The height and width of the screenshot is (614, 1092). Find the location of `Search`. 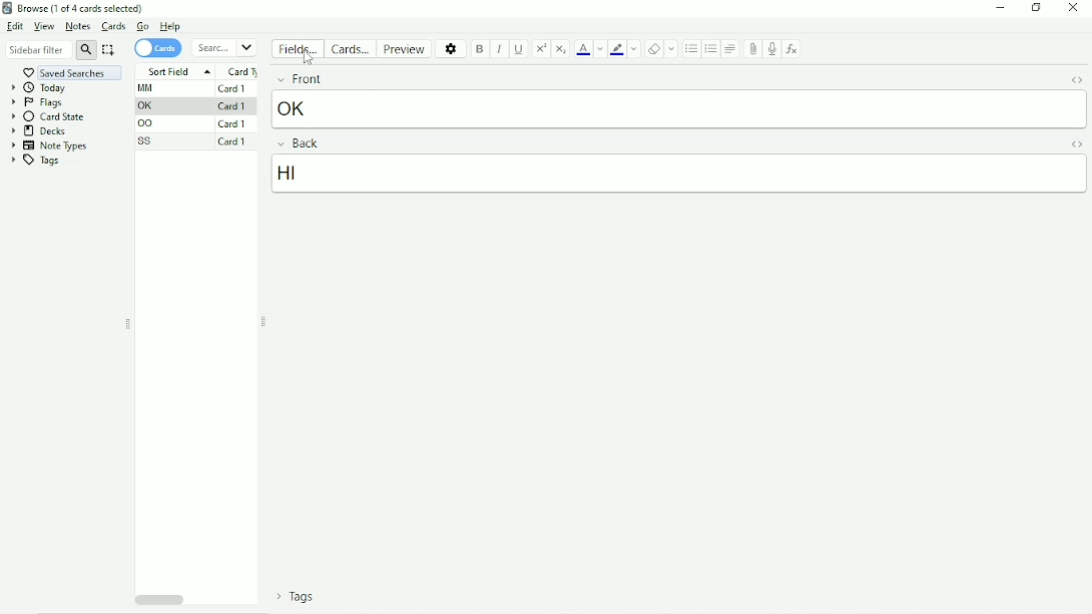

Search is located at coordinates (225, 47).